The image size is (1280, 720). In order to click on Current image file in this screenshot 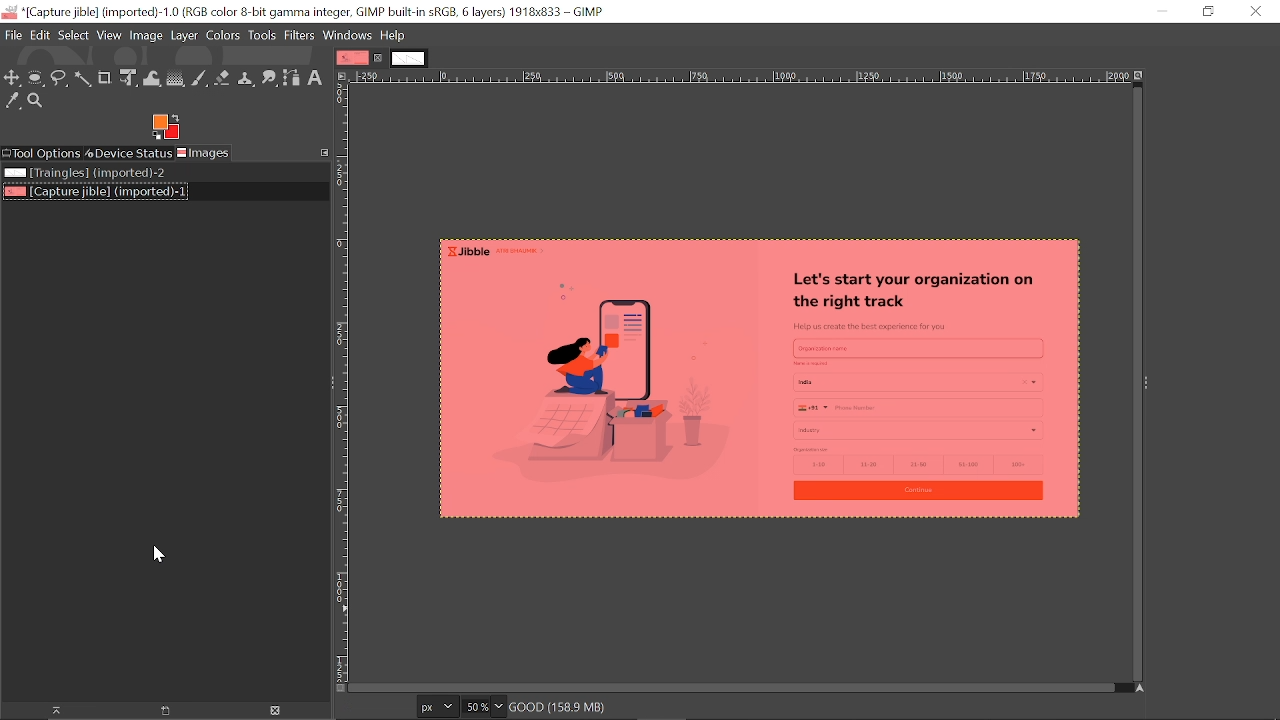, I will do `click(94, 193)`.